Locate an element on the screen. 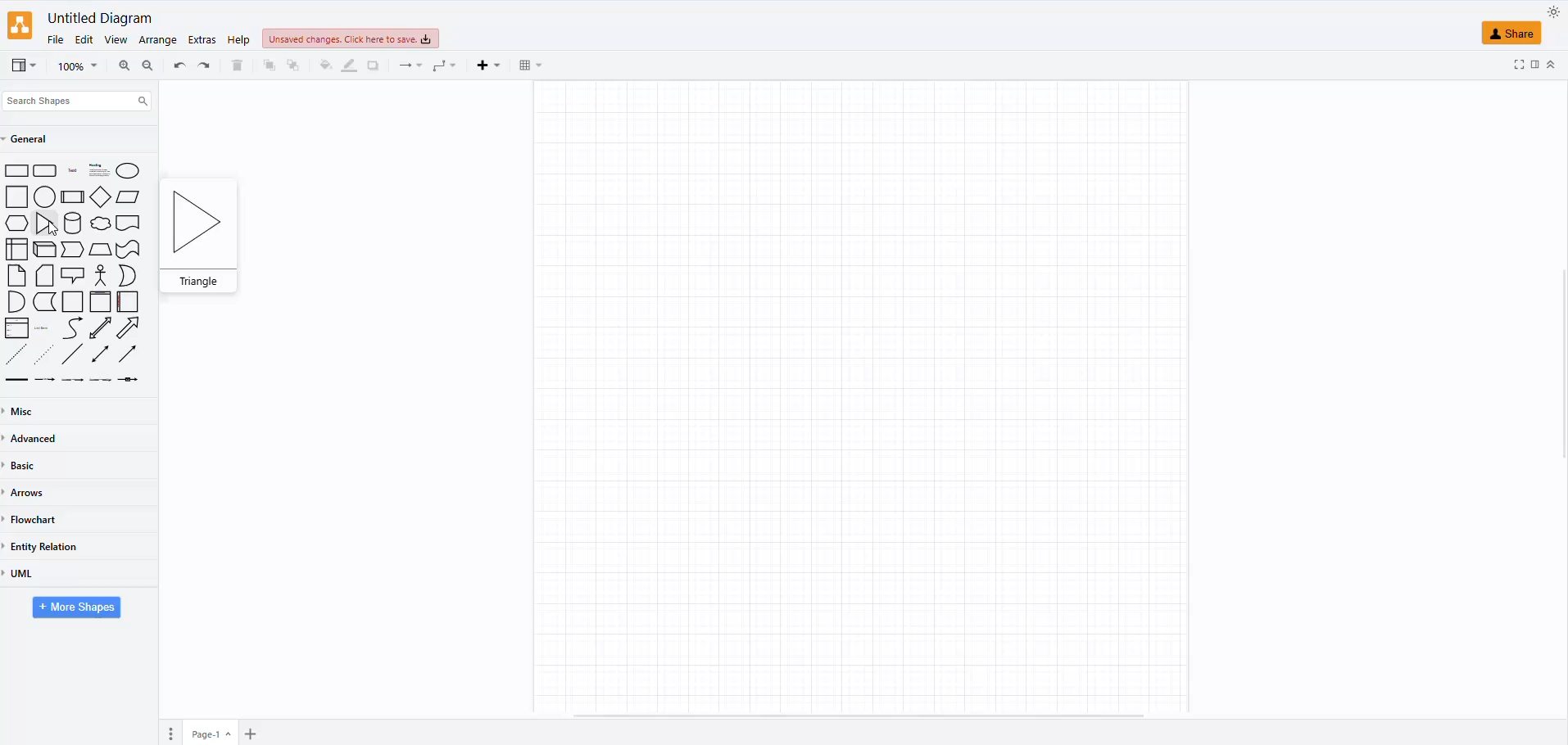 The width and height of the screenshot is (1568, 745). insert  is located at coordinates (487, 66).